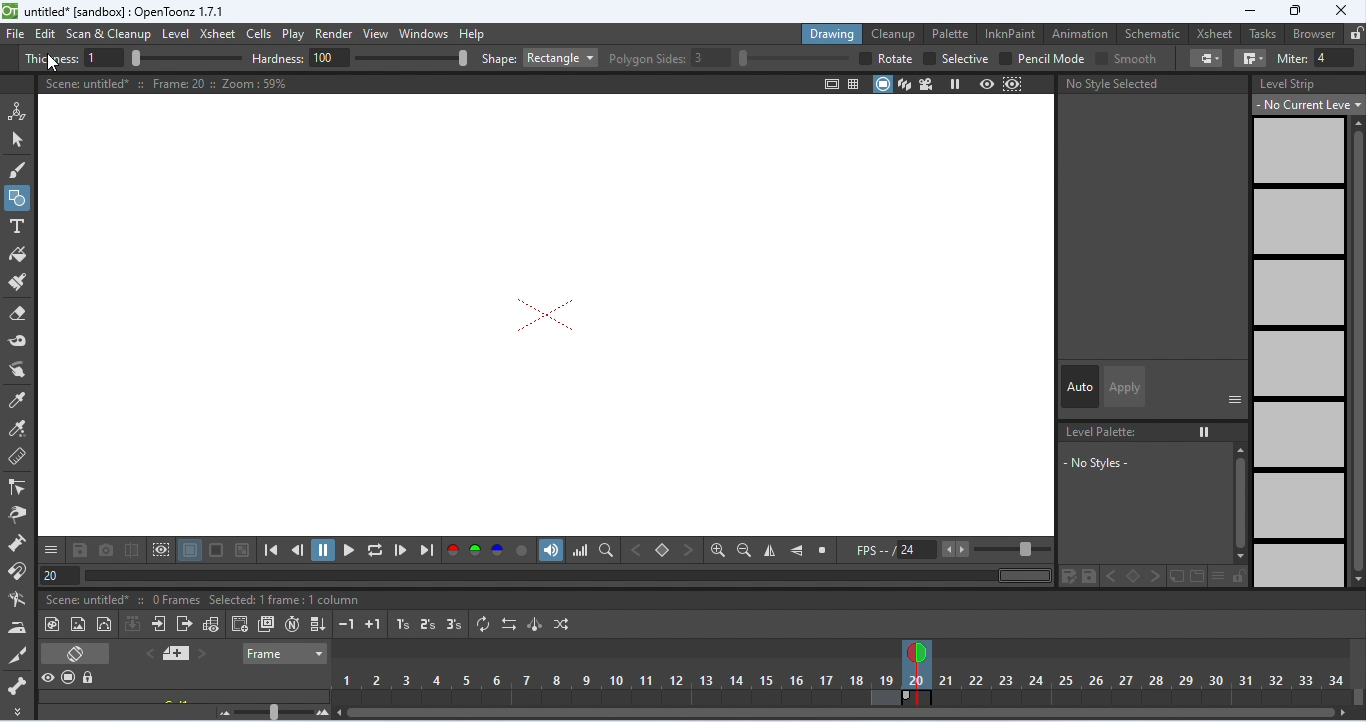 The height and width of the screenshot is (722, 1366). I want to click on animate, so click(16, 110).